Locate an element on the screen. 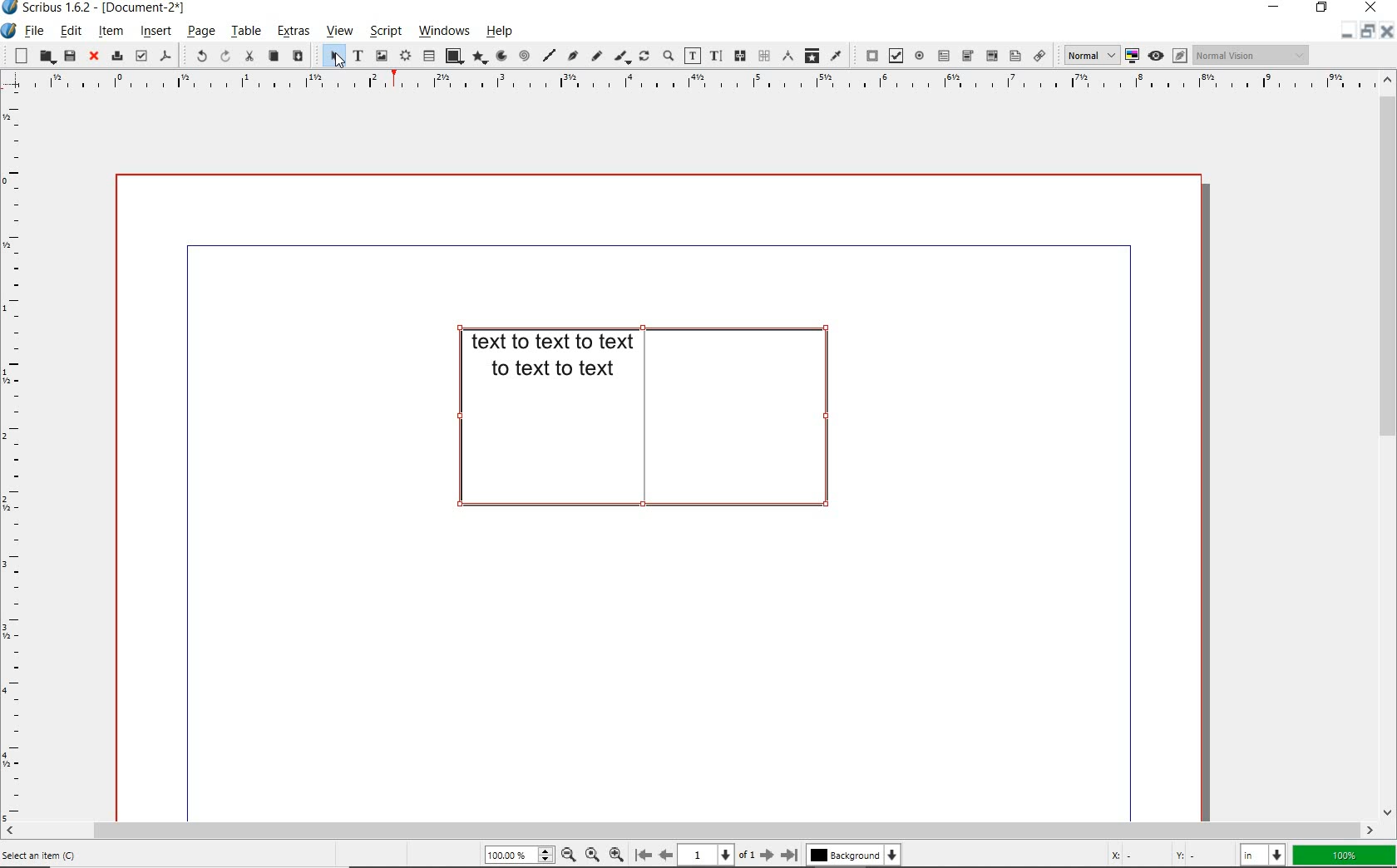 Image resolution: width=1397 pixels, height=868 pixels. pdf text field is located at coordinates (944, 56).